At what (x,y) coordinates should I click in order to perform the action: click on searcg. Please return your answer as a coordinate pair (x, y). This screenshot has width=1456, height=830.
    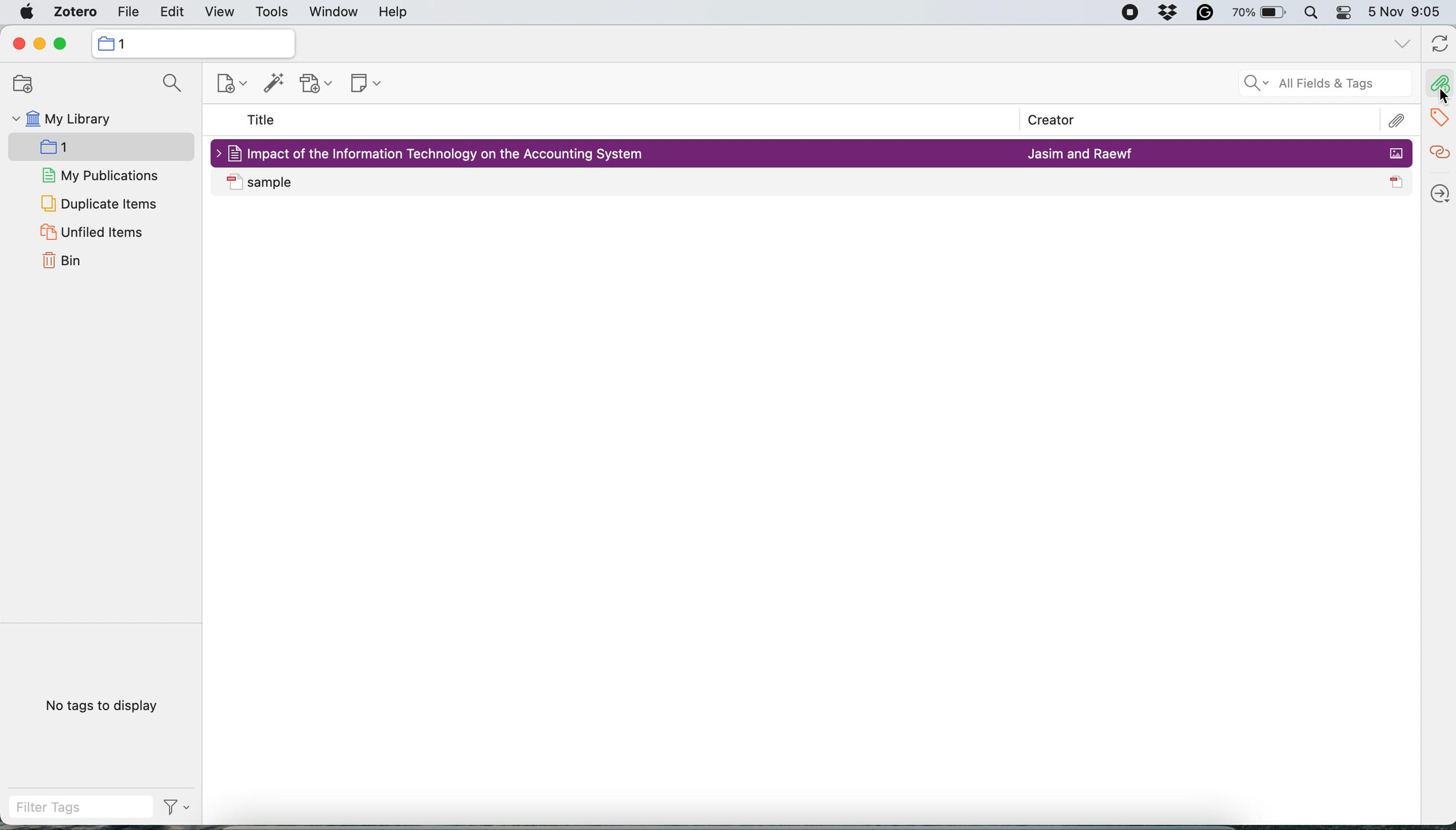
    Looking at the image, I should click on (168, 86).